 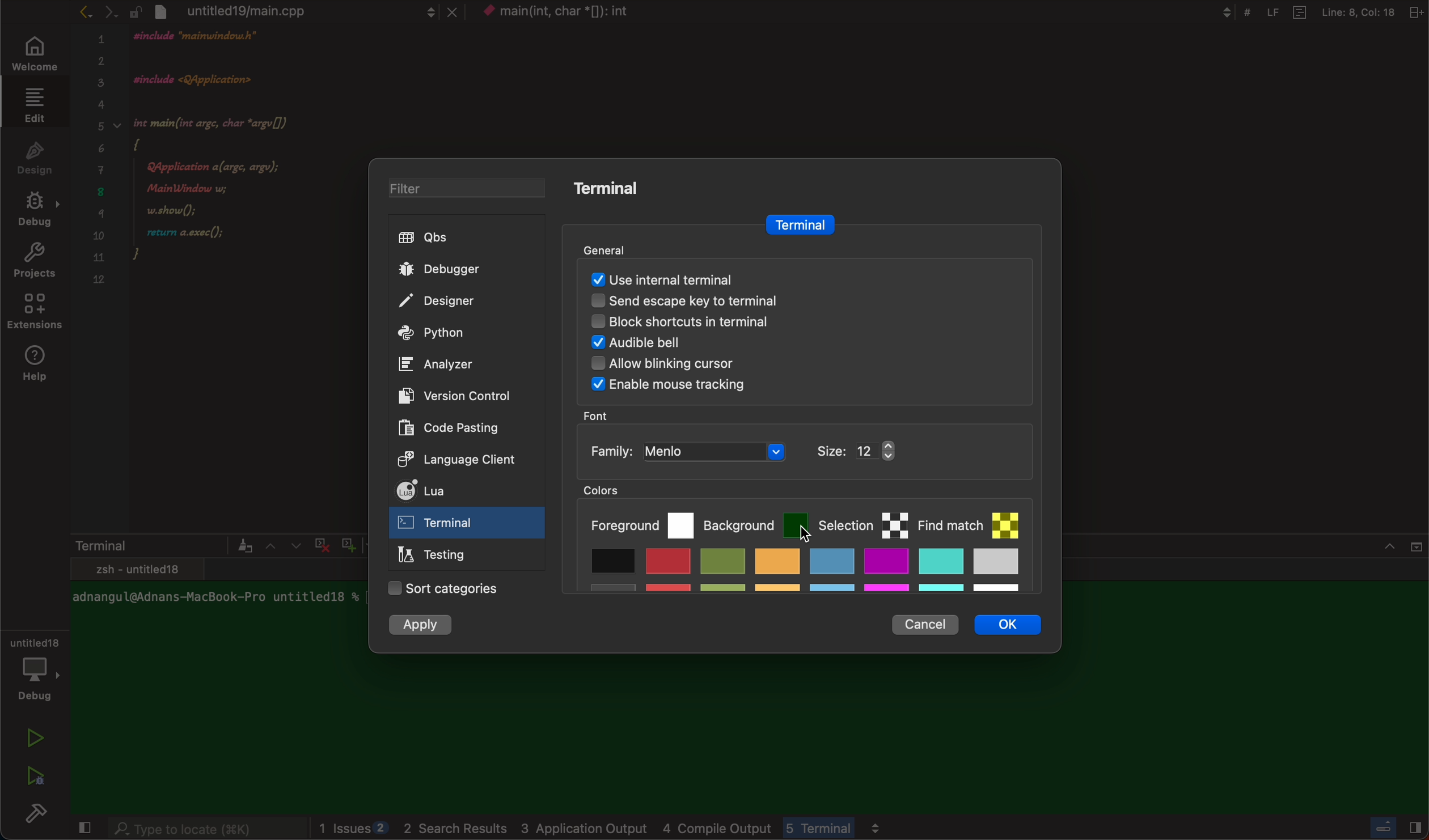 I want to click on logs, so click(x=674, y=829).